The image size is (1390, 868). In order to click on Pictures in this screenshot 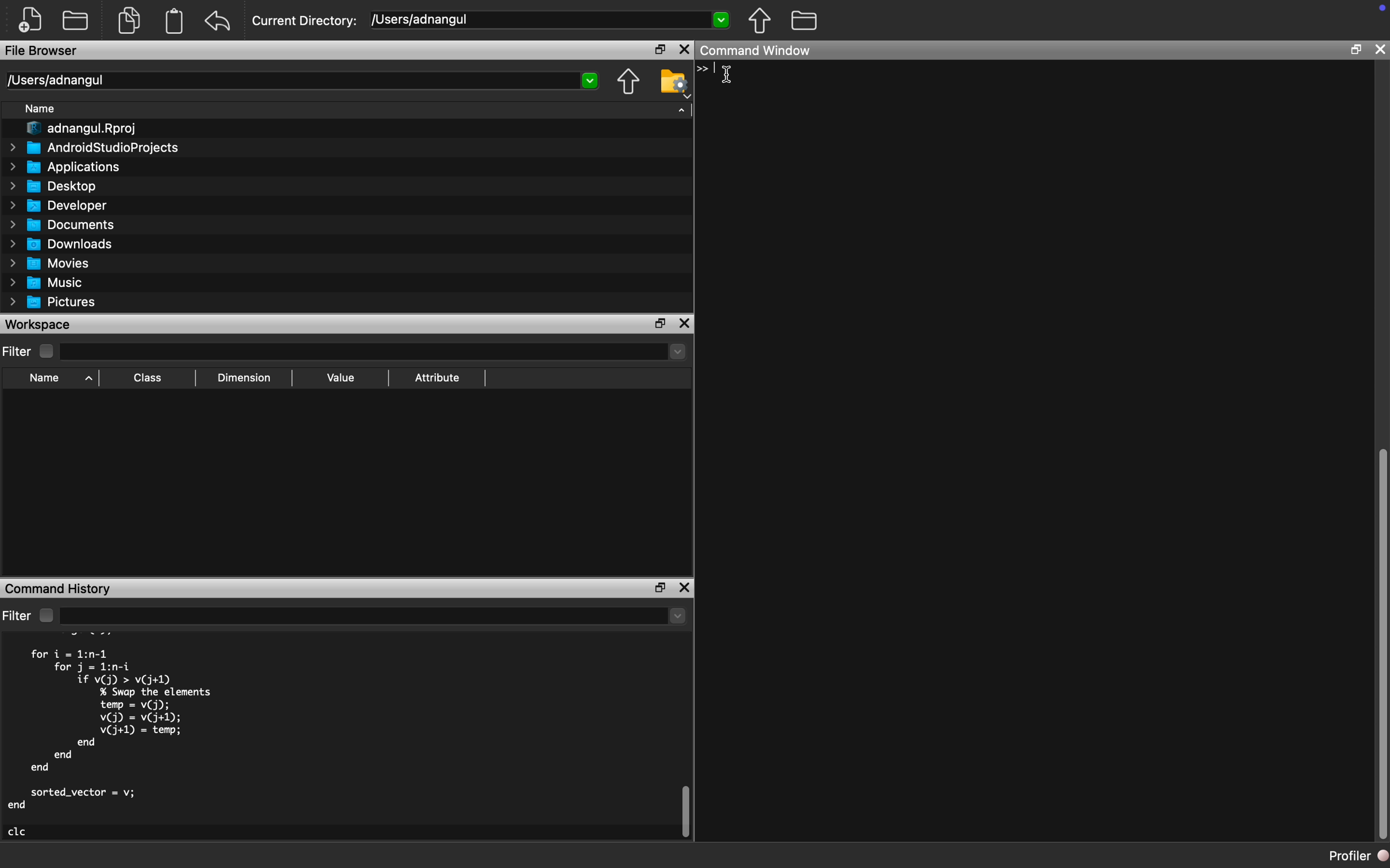, I will do `click(53, 304)`.